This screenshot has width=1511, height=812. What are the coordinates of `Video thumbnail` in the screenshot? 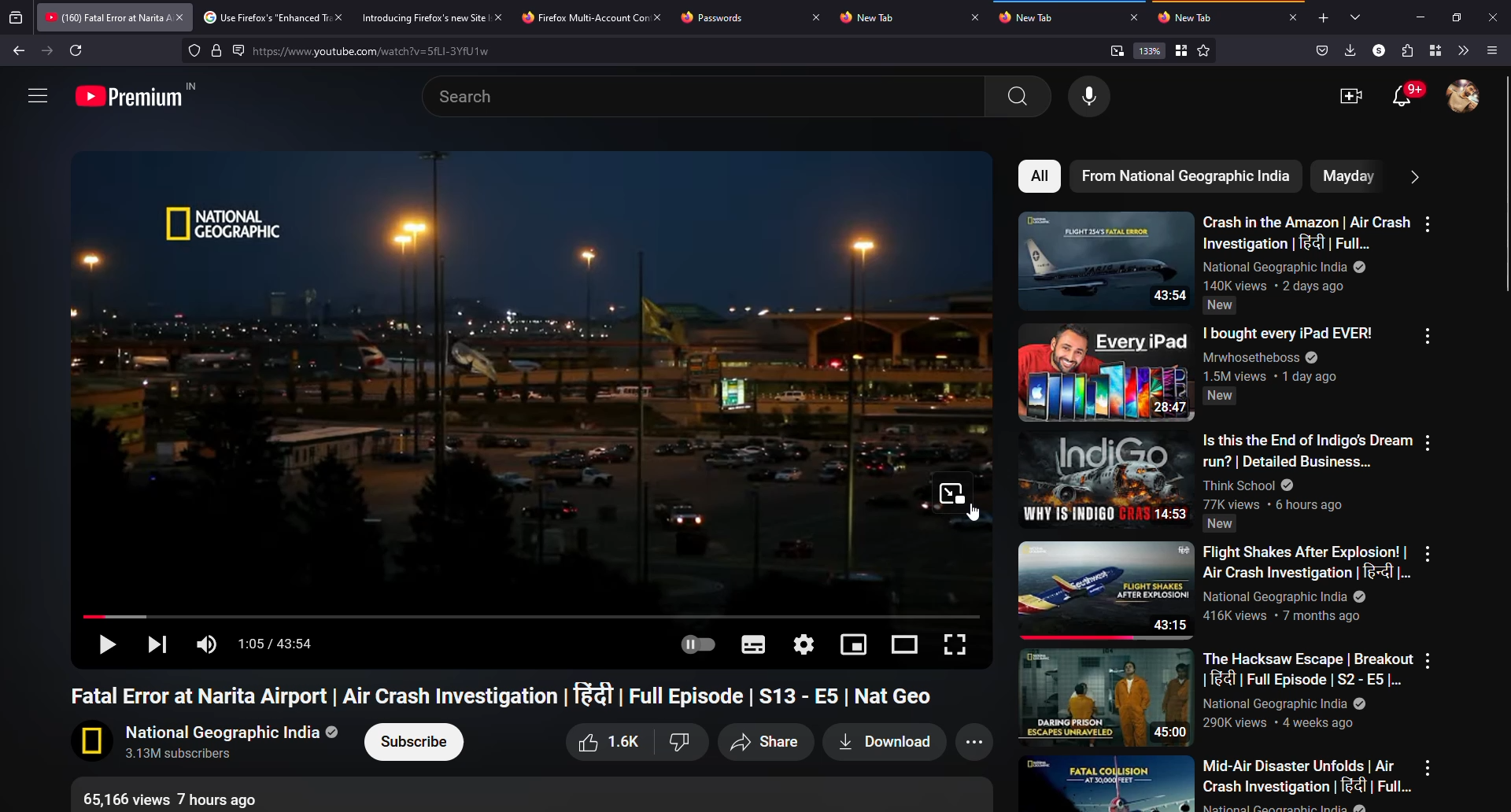 It's located at (1106, 591).